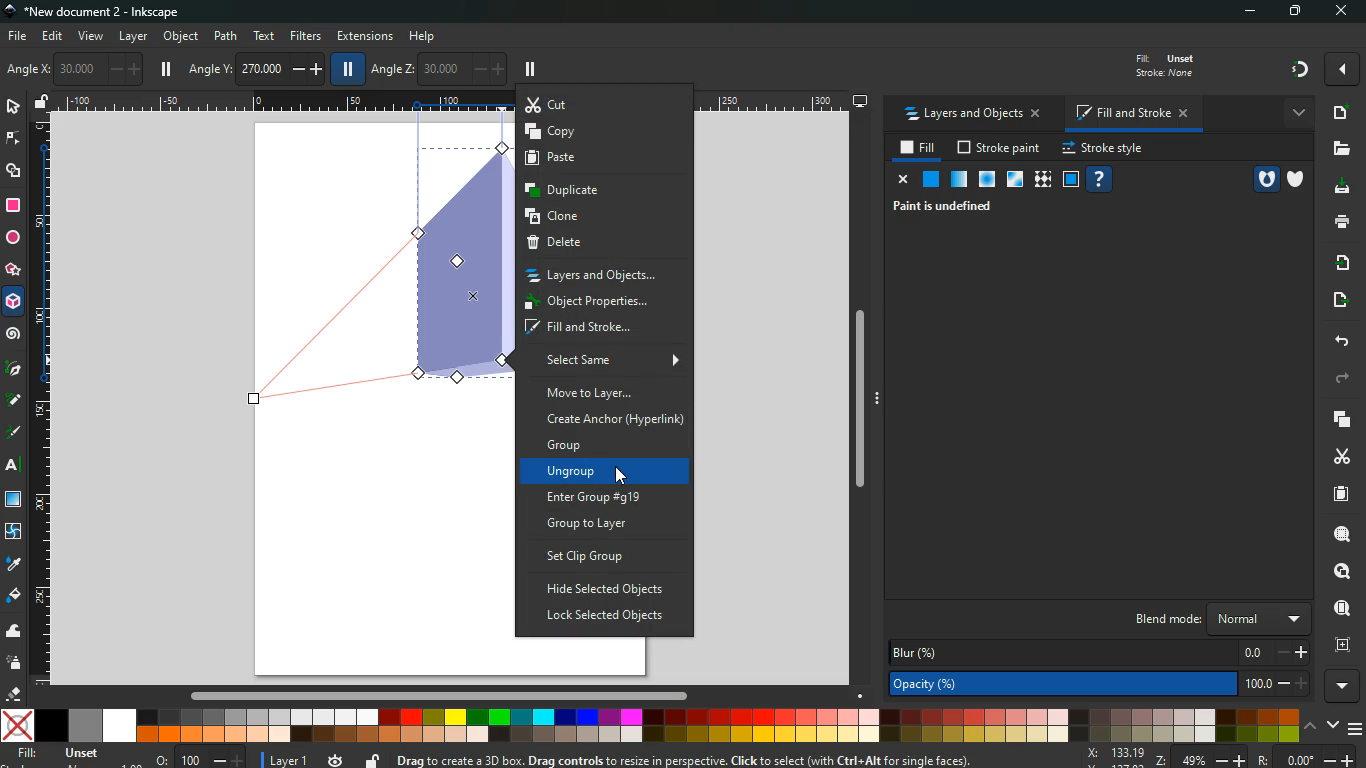  What do you see at coordinates (14, 434) in the screenshot?
I see `highlight` at bounding box center [14, 434].